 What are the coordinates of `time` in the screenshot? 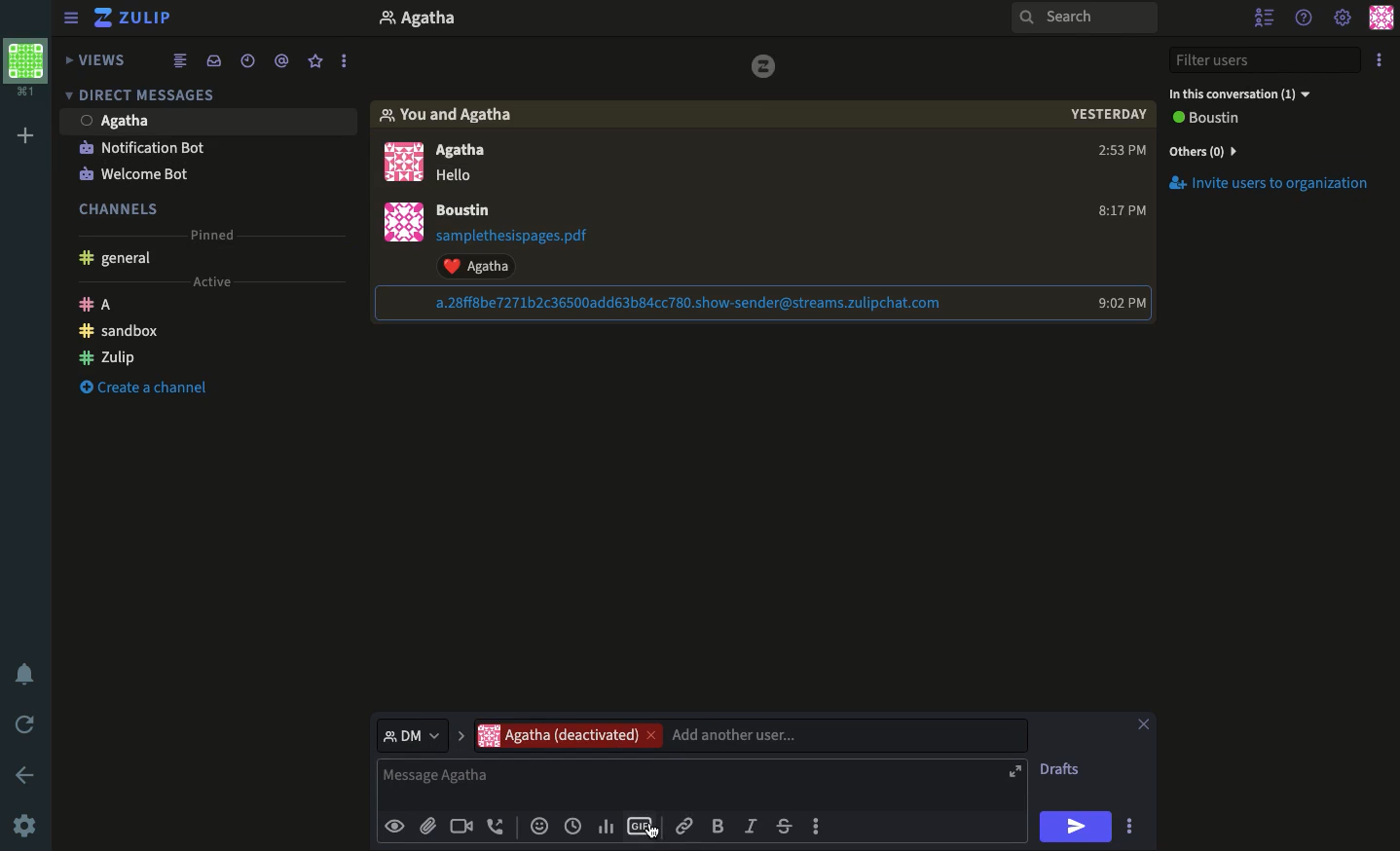 It's located at (1120, 212).